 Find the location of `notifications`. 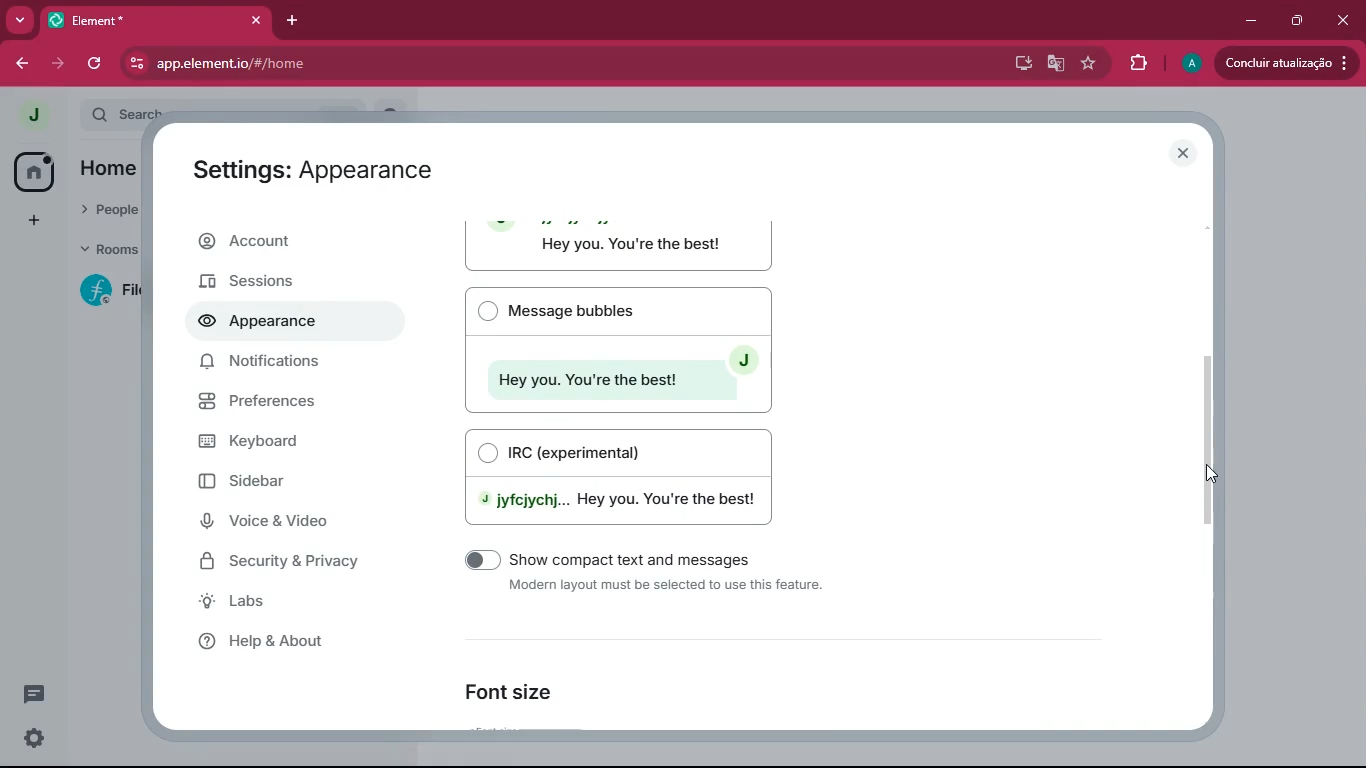

notifications is located at coordinates (267, 362).